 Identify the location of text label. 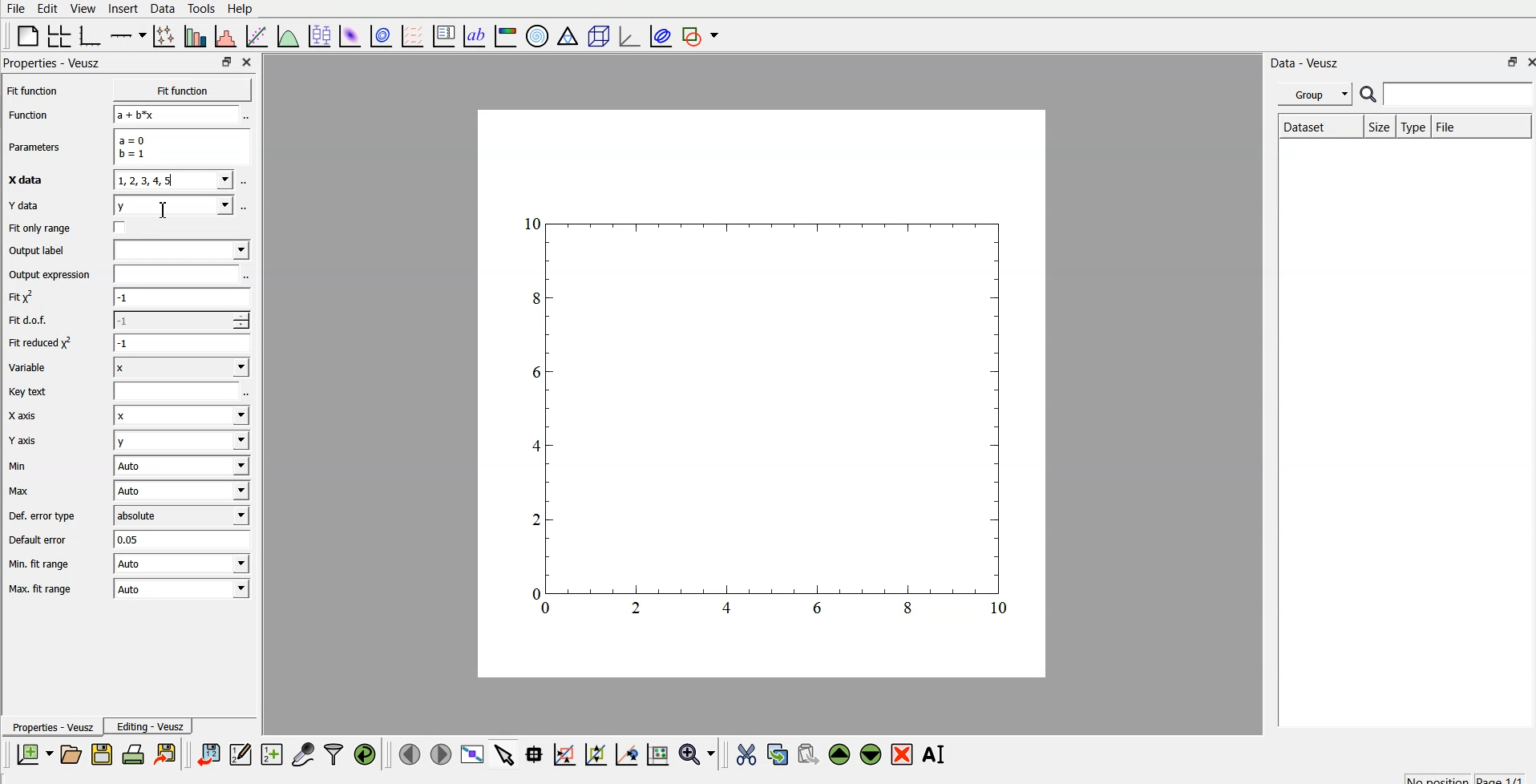
(473, 36).